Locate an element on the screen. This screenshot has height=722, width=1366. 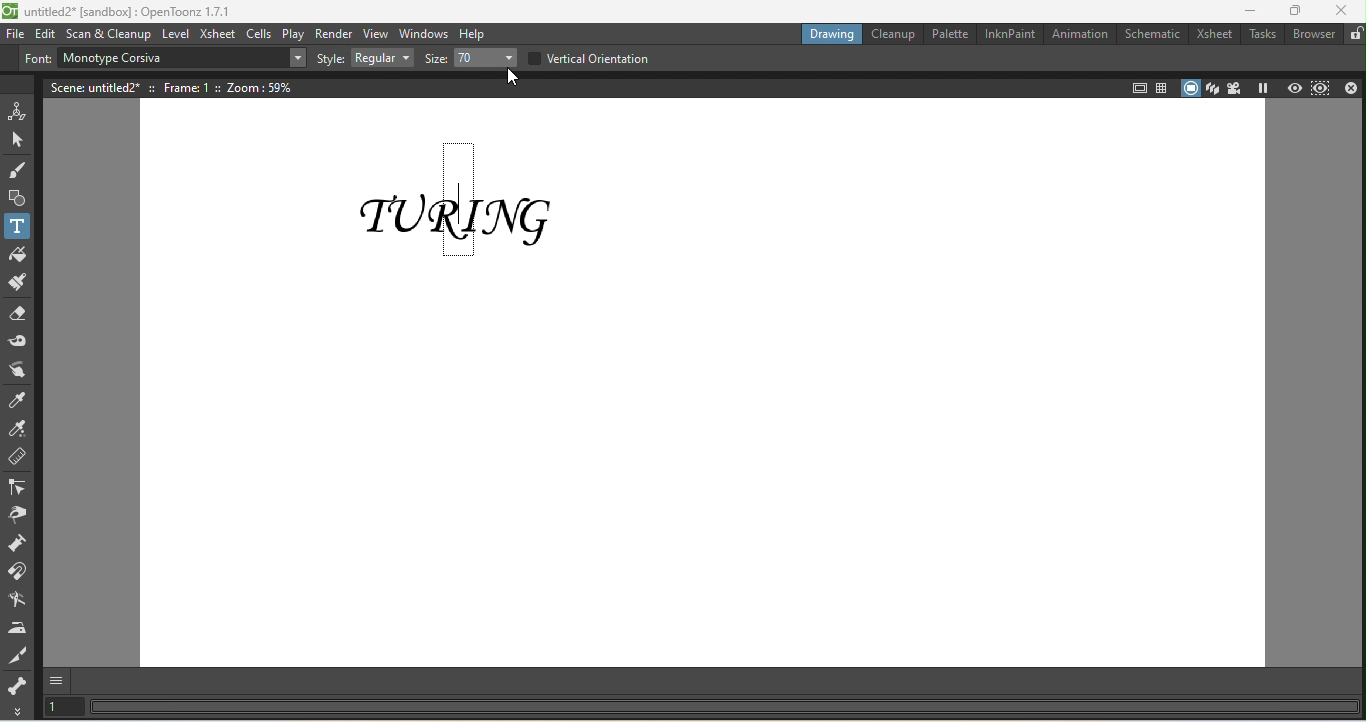
Style is located at coordinates (328, 59).